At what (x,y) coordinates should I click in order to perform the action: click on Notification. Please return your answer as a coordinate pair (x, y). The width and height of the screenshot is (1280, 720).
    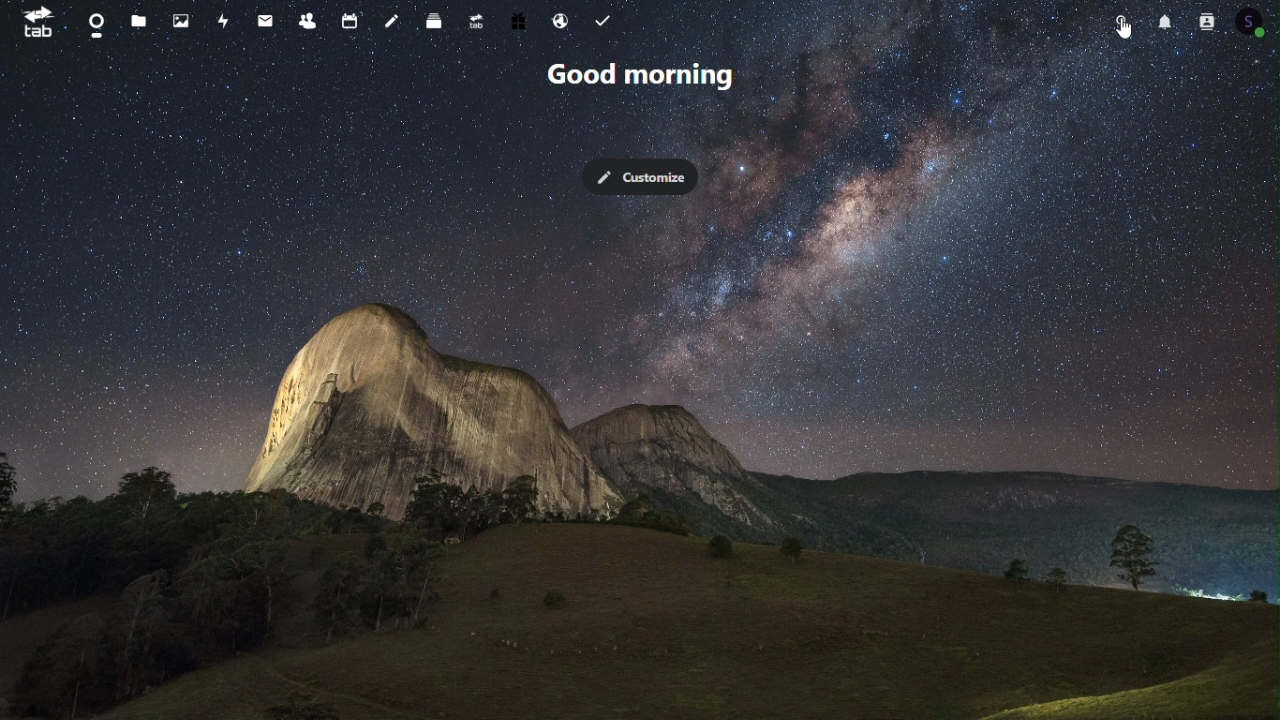
    Looking at the image, I should click on (1168, 22).